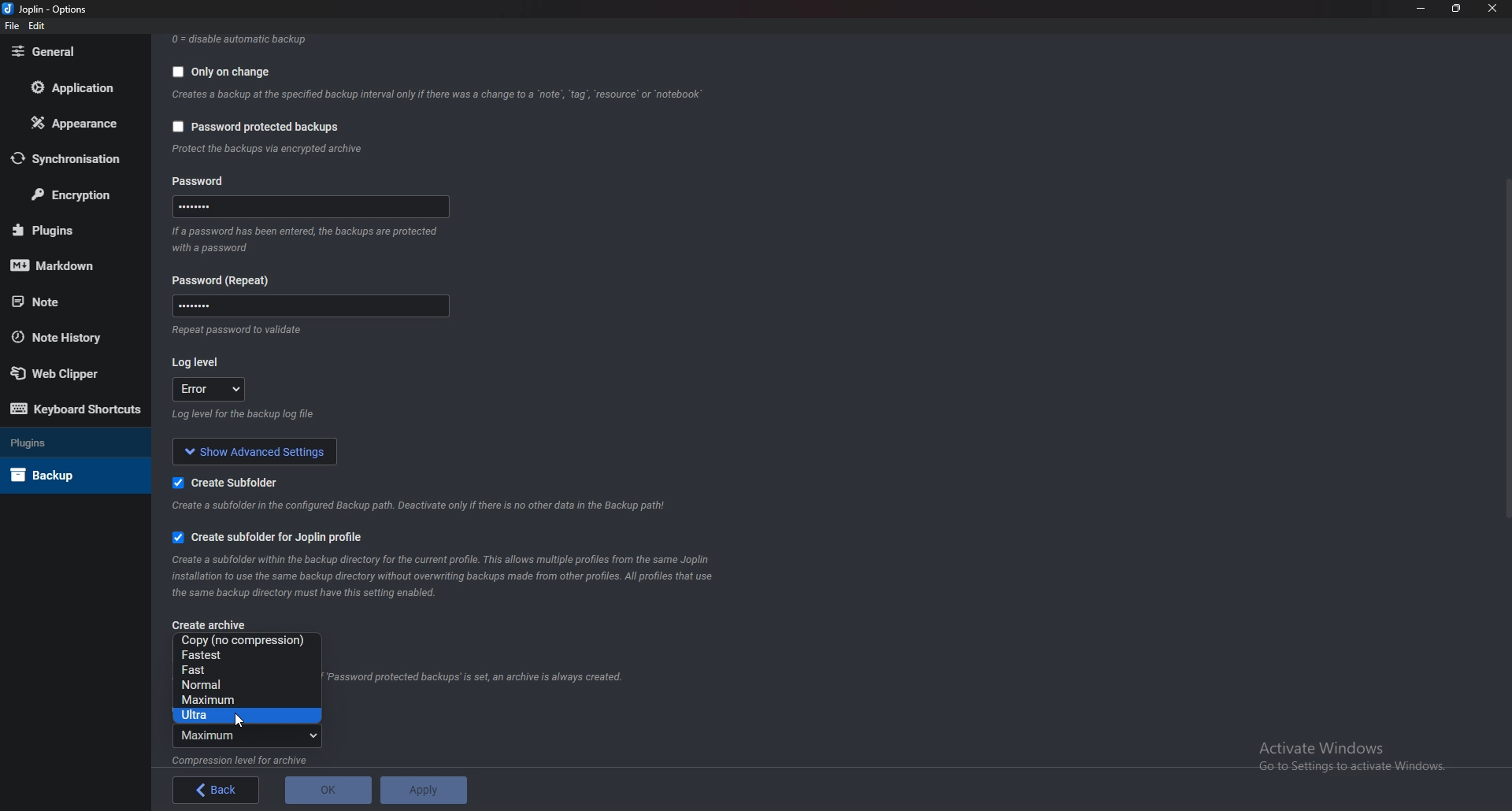 This screenshot has height=811, width=1512. What do you see at coordinates (238, 719) in the screenshot?
I see `cursor` at bounding box center [238, 719].